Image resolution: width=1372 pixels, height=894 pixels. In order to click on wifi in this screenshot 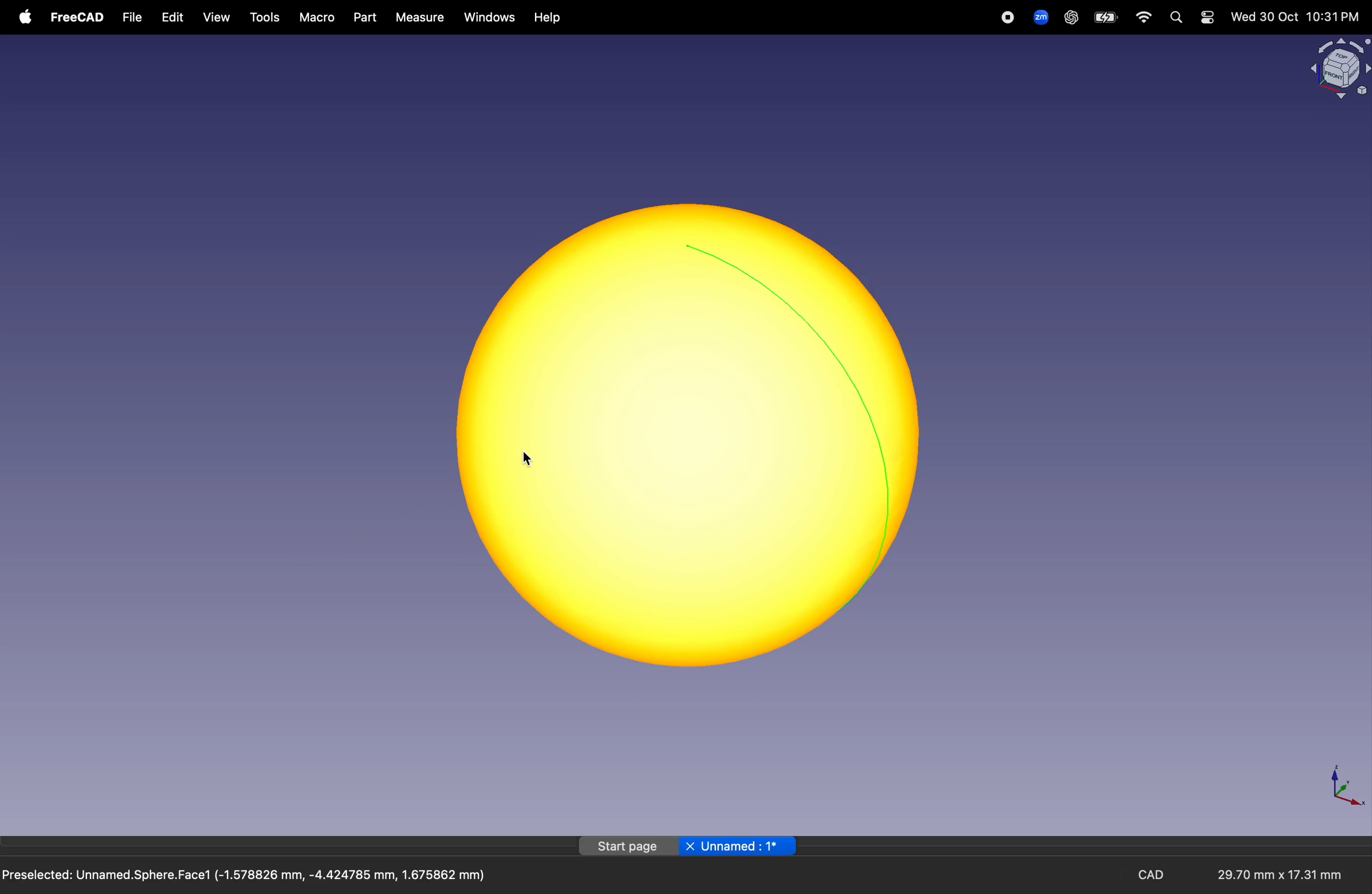, I will do `click(1144, 17)`.